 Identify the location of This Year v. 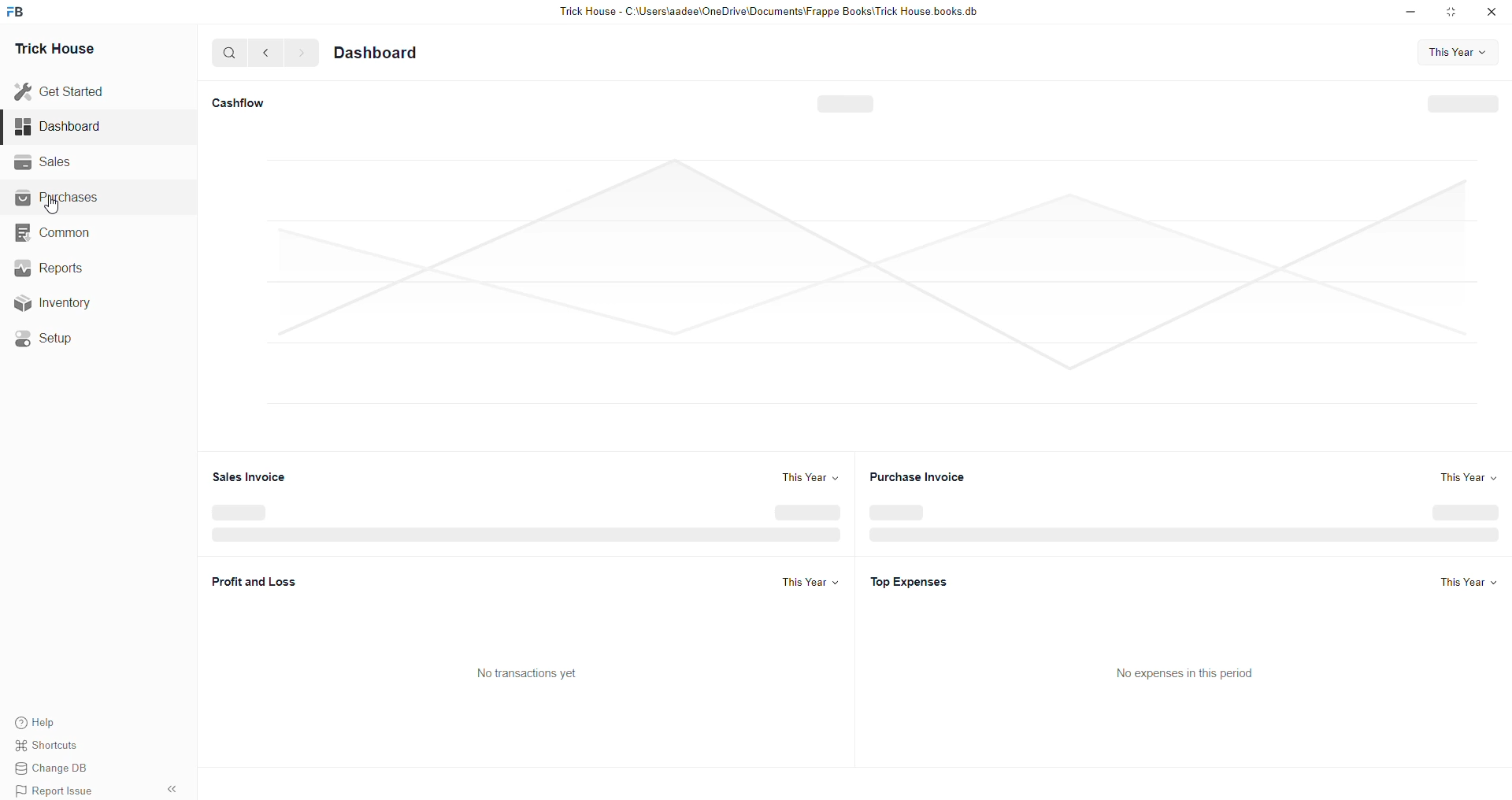
(1459, 51).